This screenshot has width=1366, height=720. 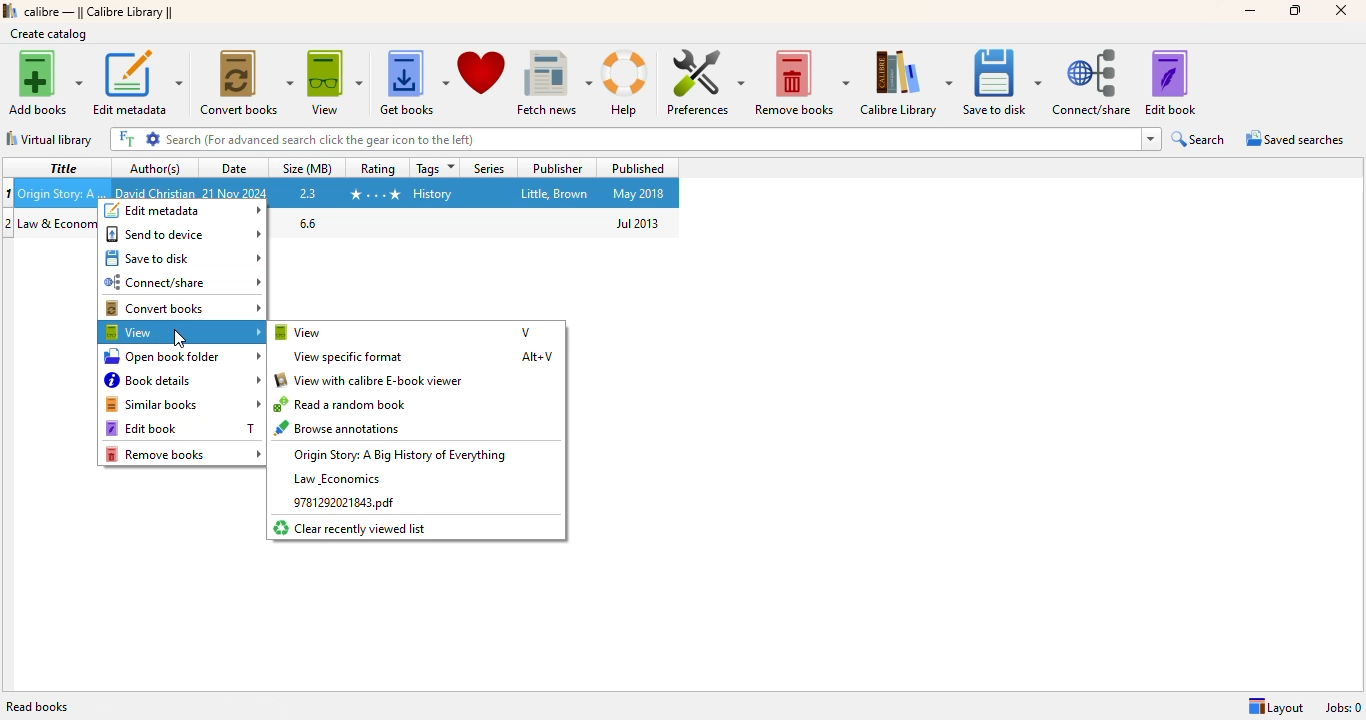 What do you see at coordinates (49, 139) in the screenshot?
I see `virtual library` at bounding box center [49, 139].